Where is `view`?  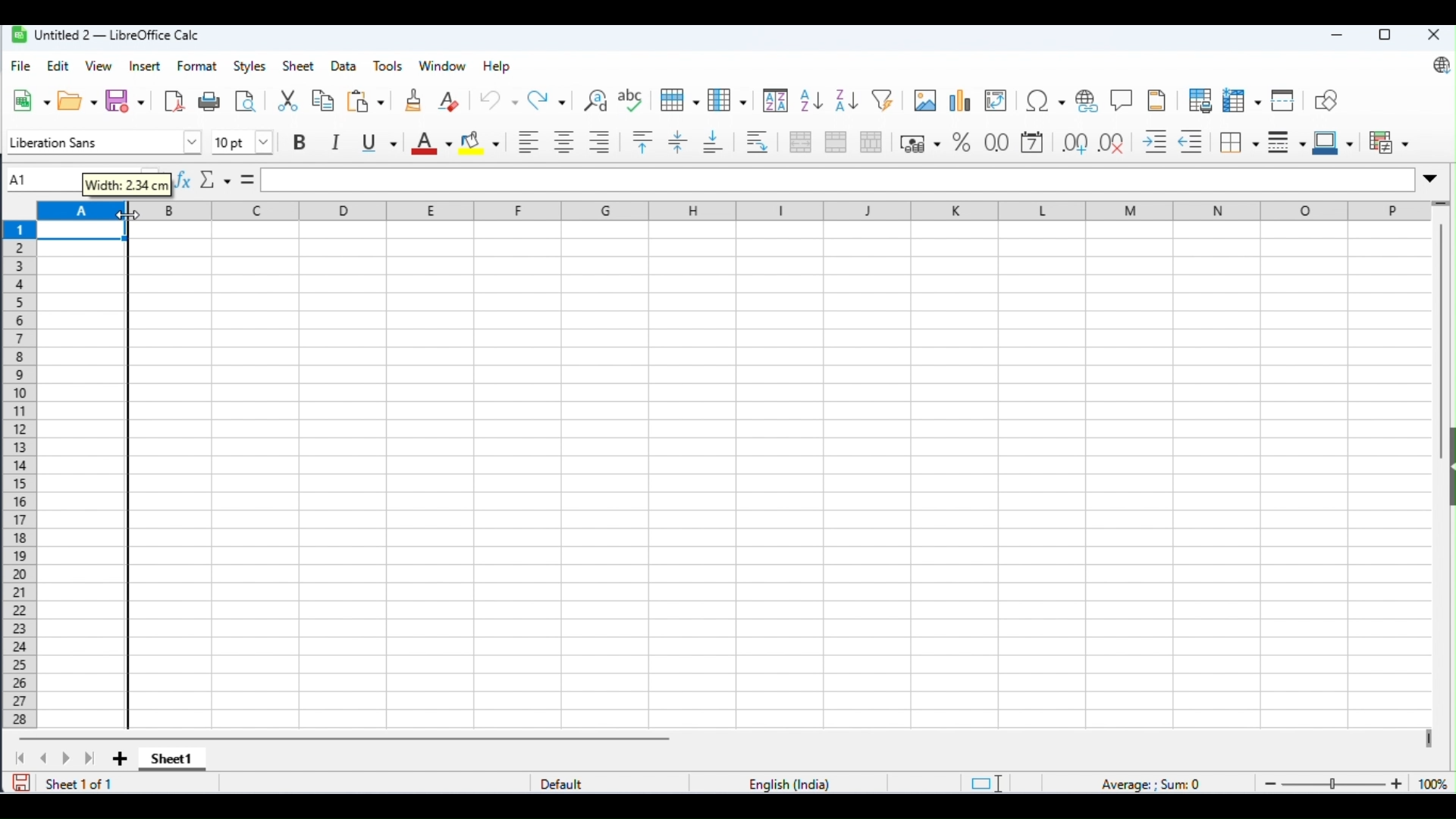 view is located at coordinates (99, 65).